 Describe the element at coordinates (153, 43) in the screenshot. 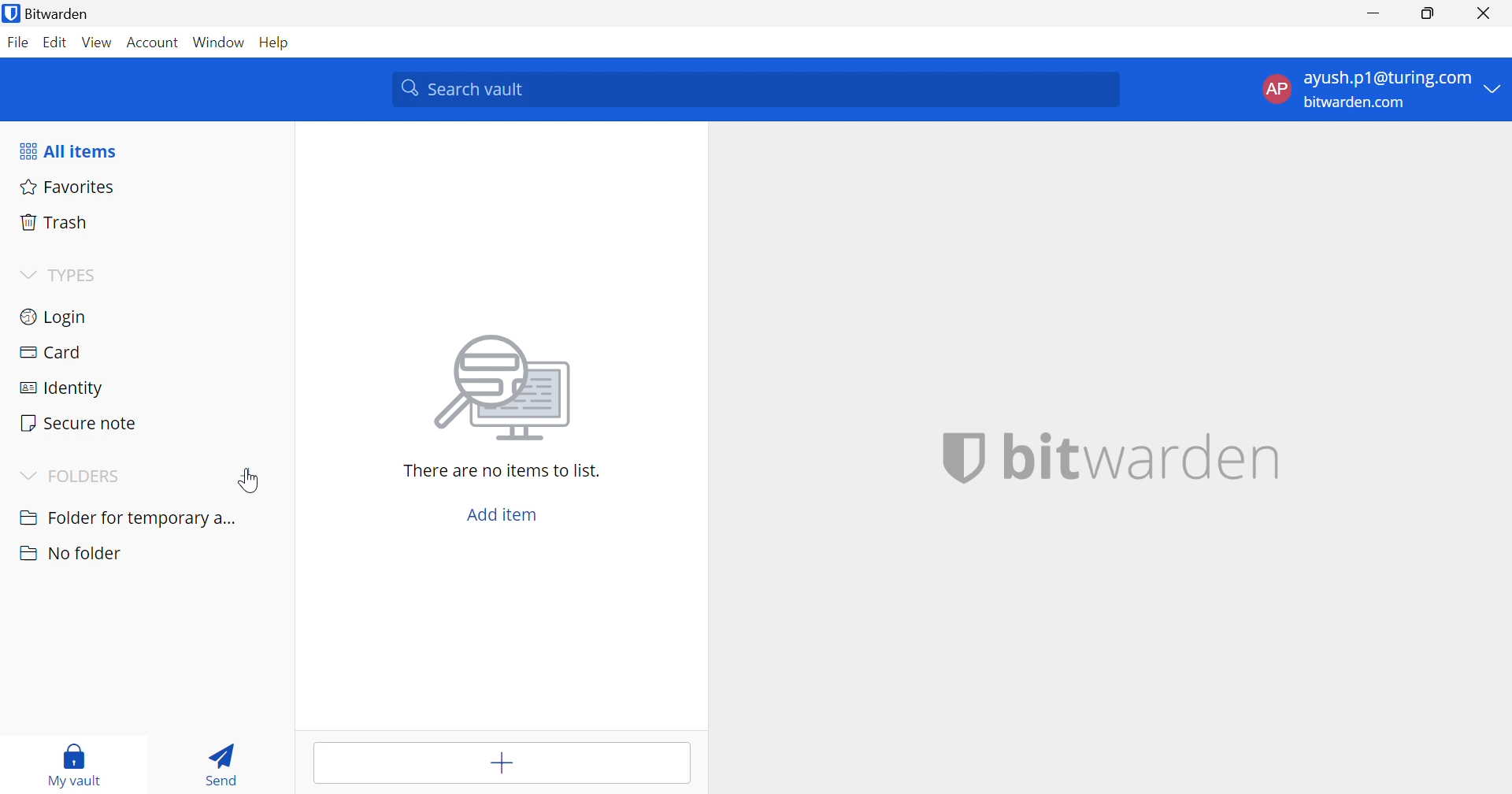

I see `Account` at that location.